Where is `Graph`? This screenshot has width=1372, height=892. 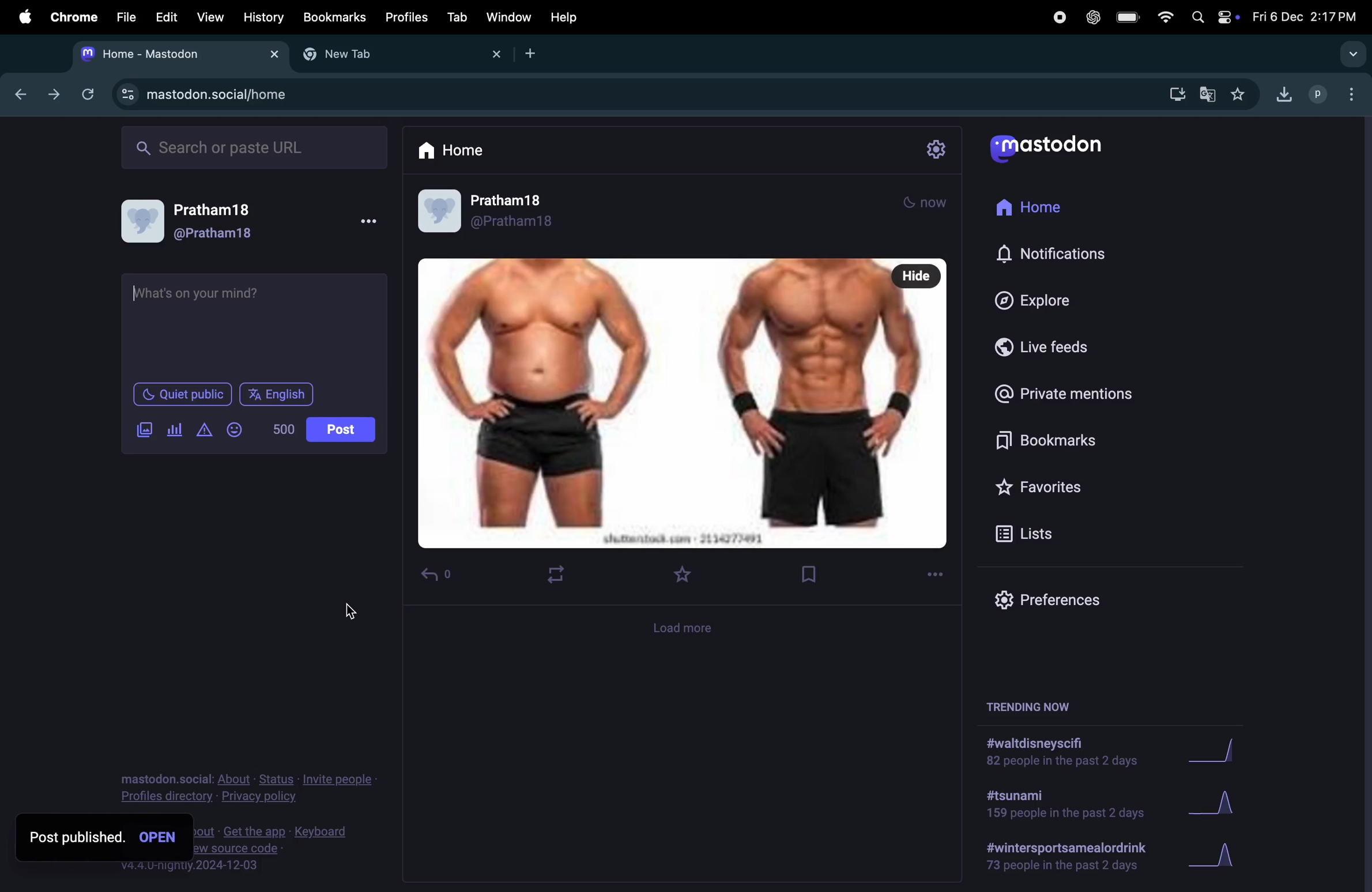
Graph is located at coordinates (1228, 749).